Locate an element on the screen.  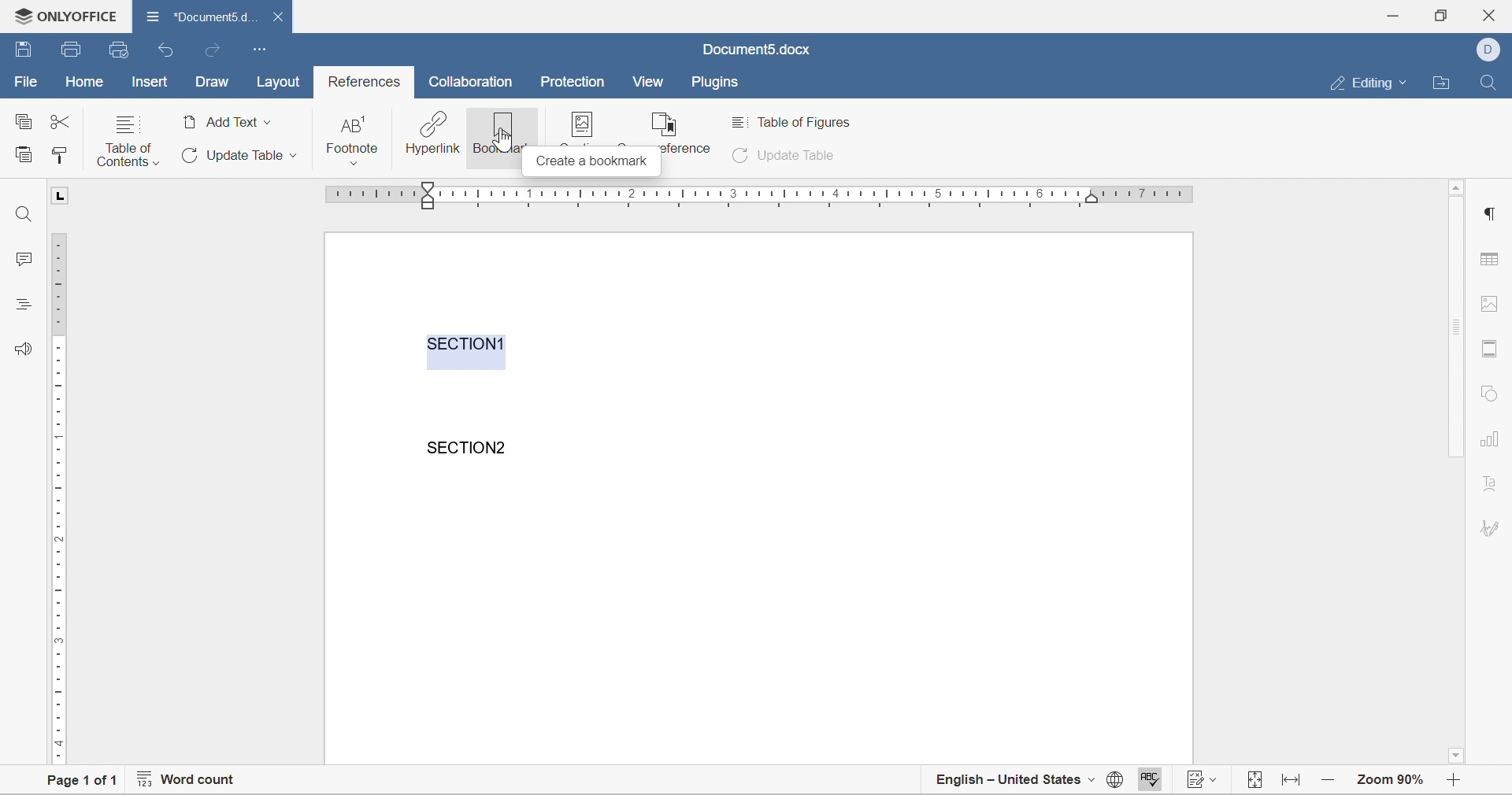
open file location is located at coordinates (1444, 83).